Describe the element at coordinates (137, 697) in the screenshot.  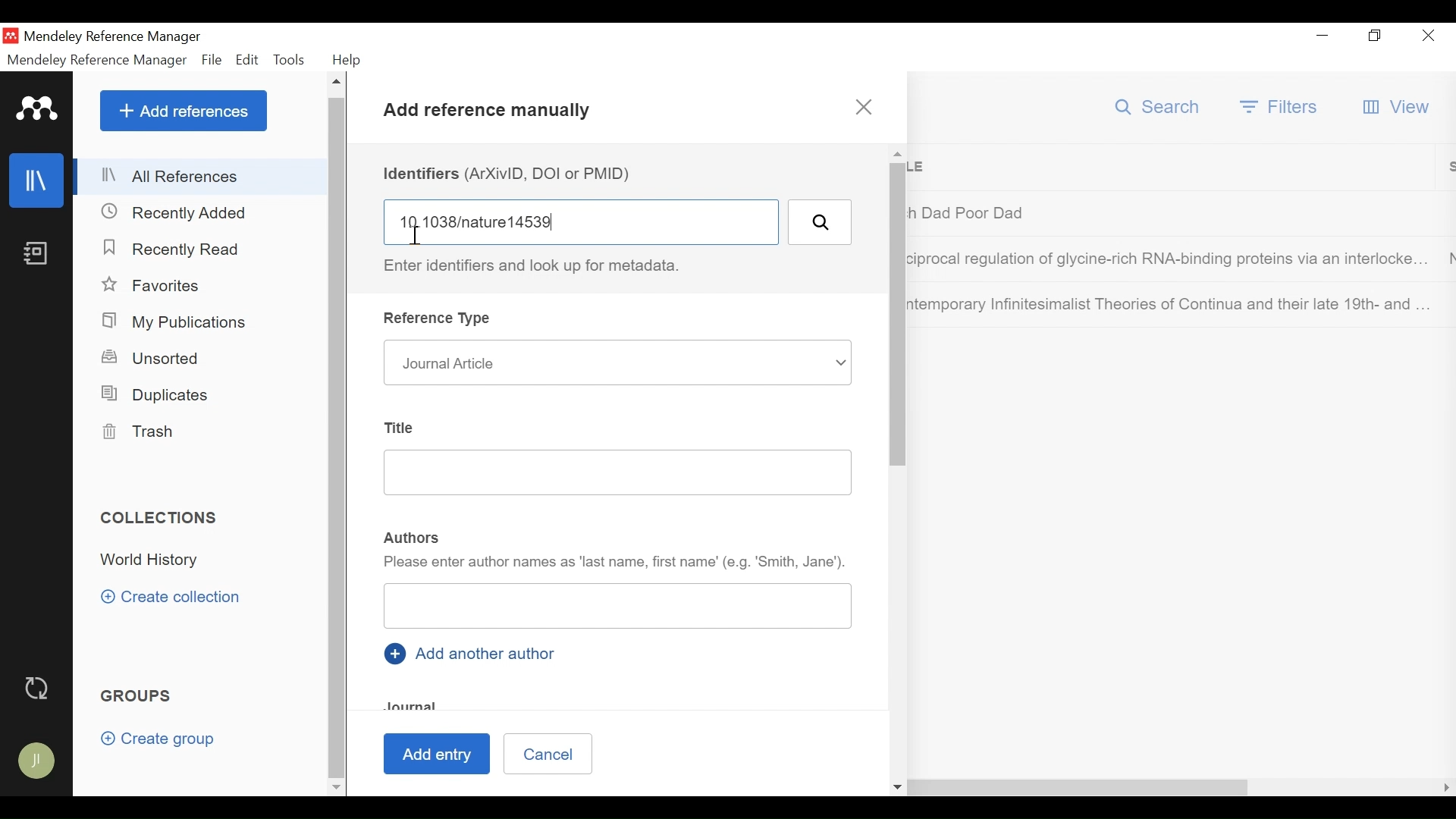
I see `Groups ` at that location.